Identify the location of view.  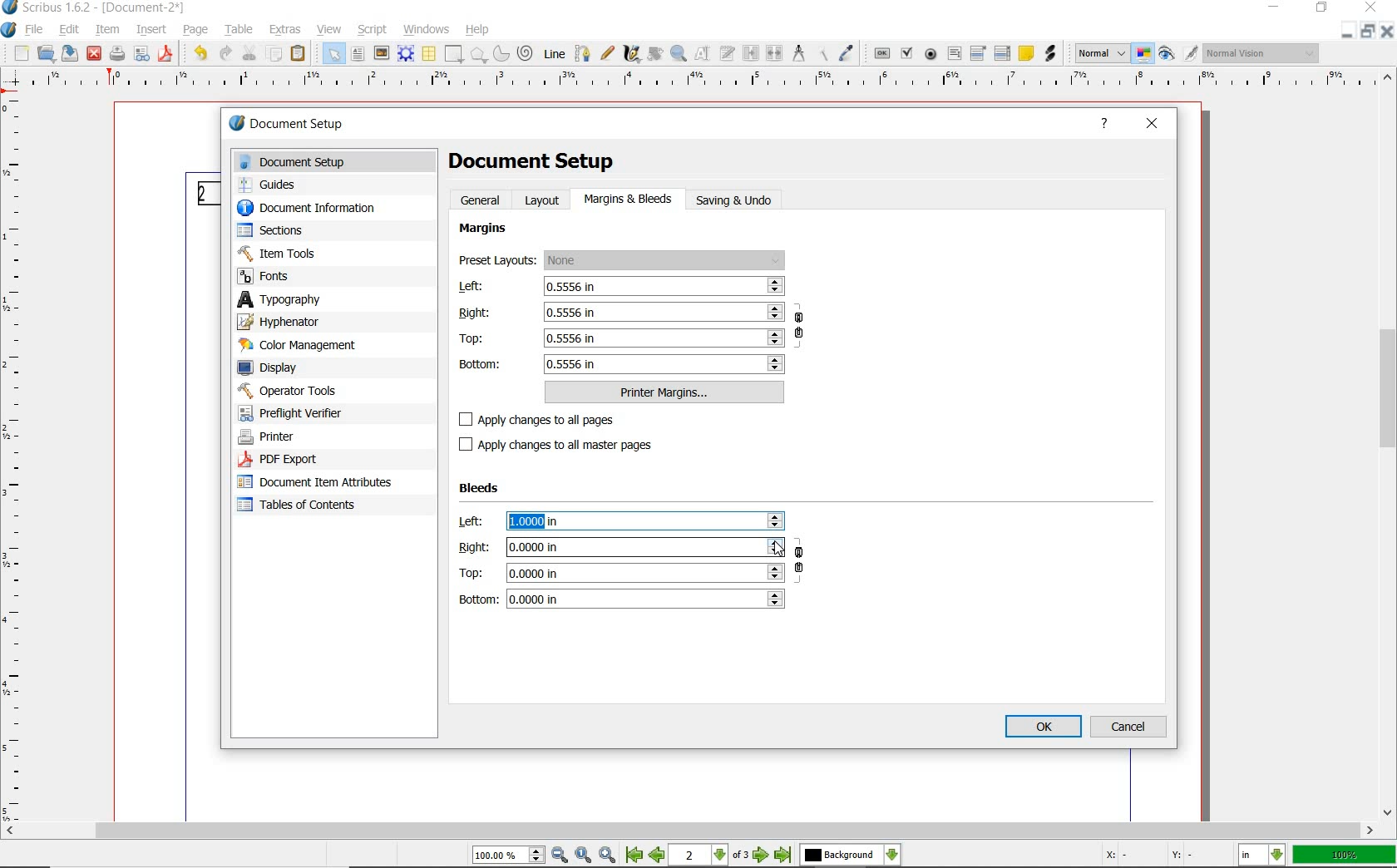
(328, 29).